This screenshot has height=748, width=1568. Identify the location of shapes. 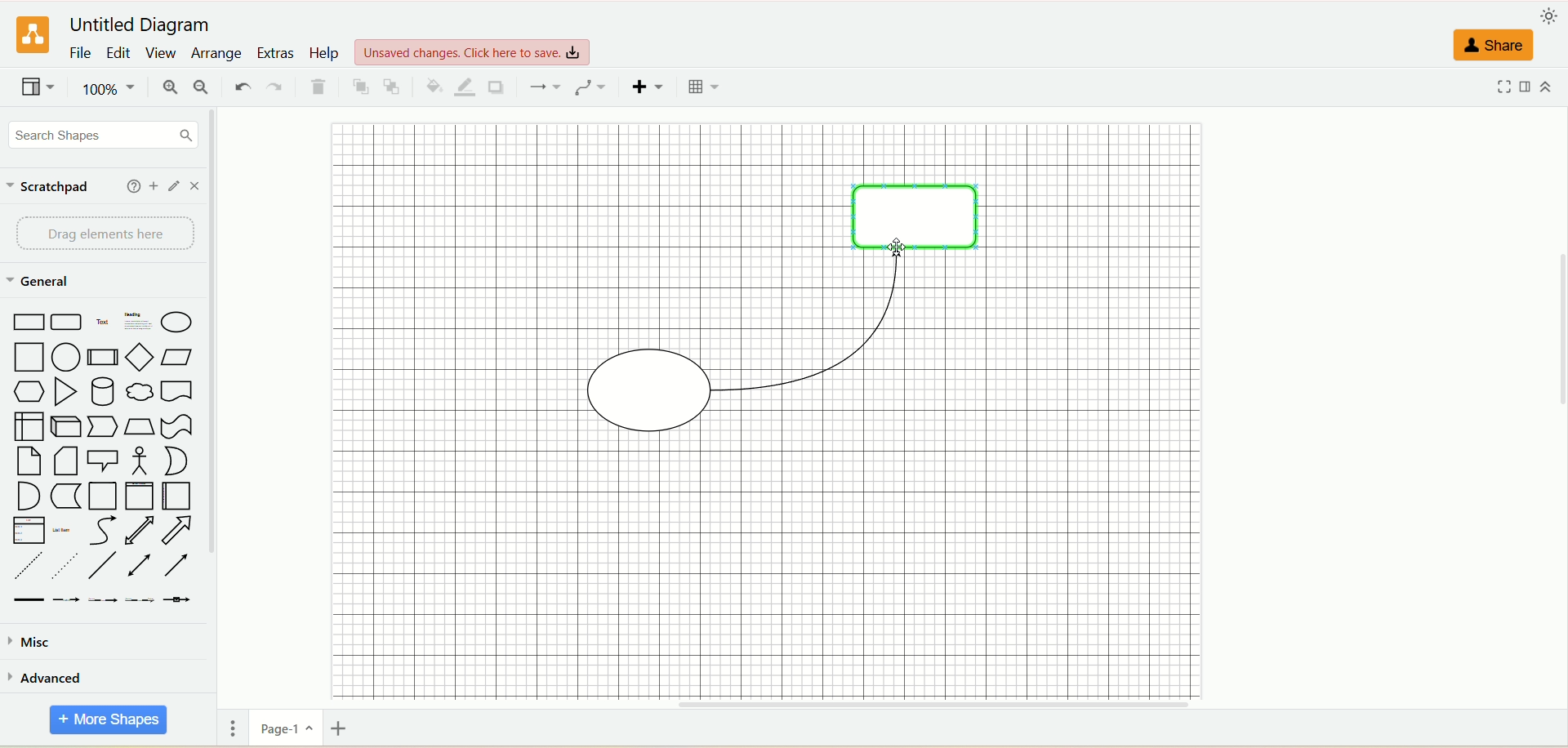
(100, 456).